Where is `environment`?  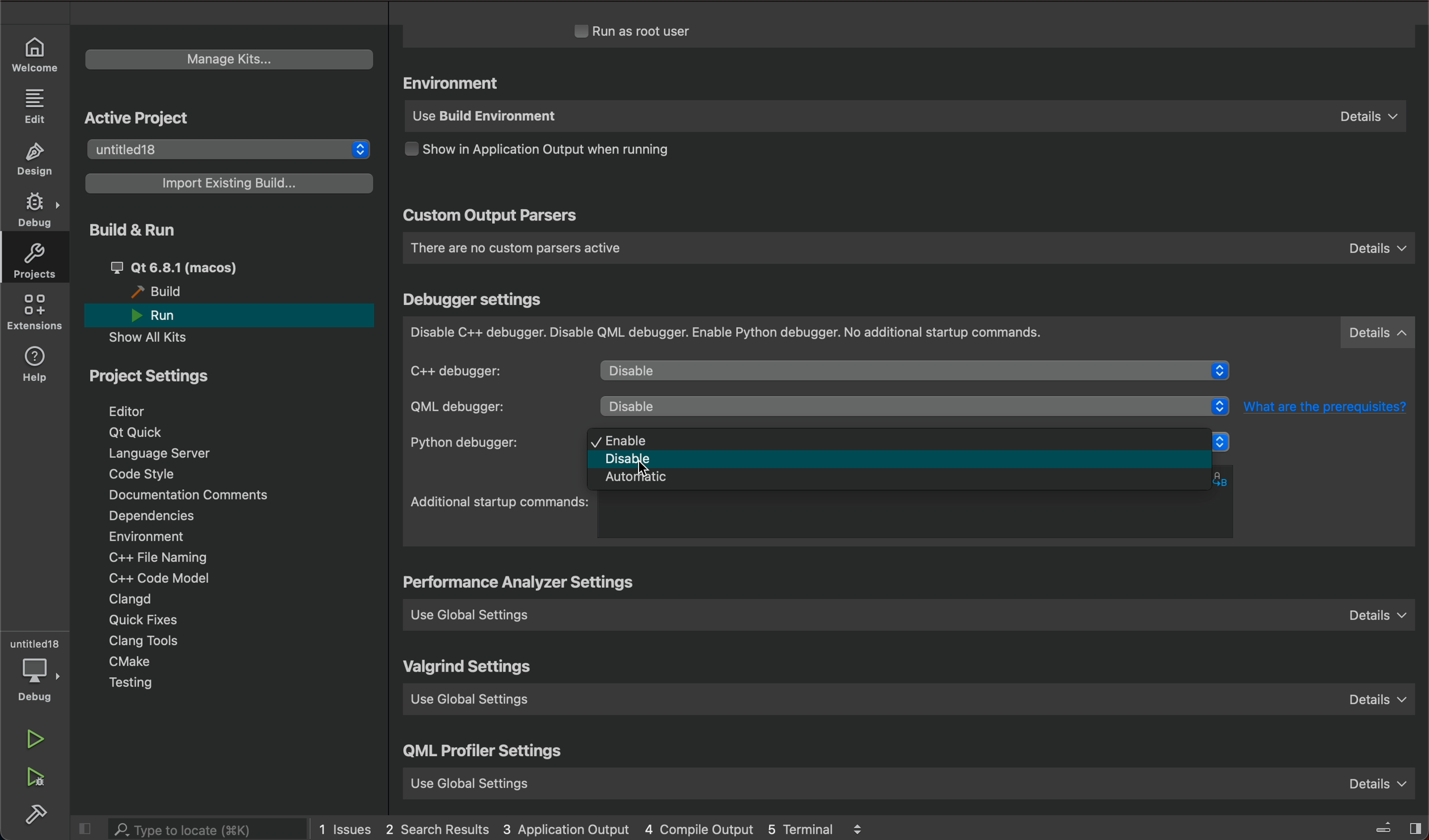 environment is located at coordinates (455, 84).